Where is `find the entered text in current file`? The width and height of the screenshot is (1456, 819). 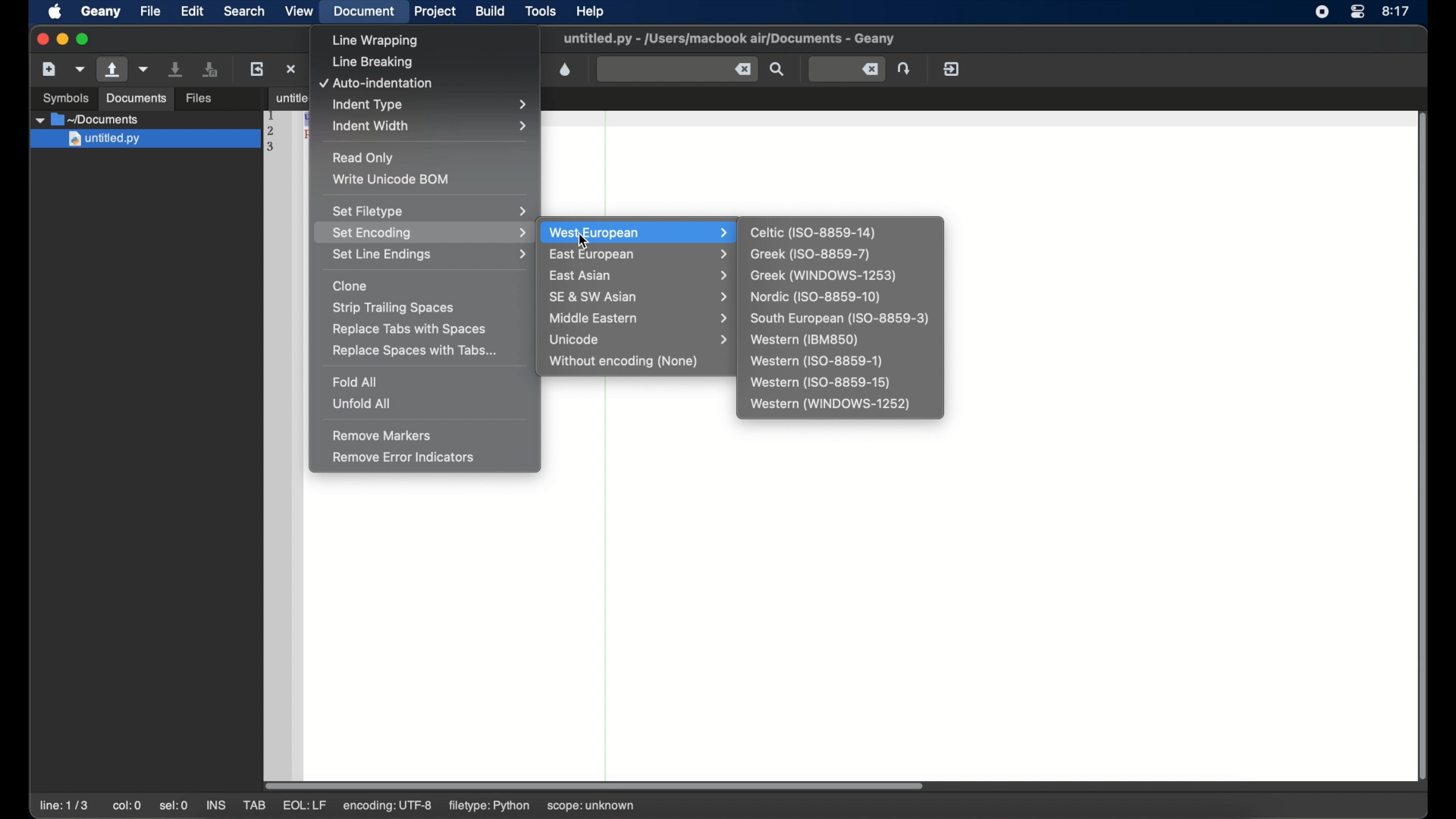 find the entered text in current file is located at coordinates (777, 69).